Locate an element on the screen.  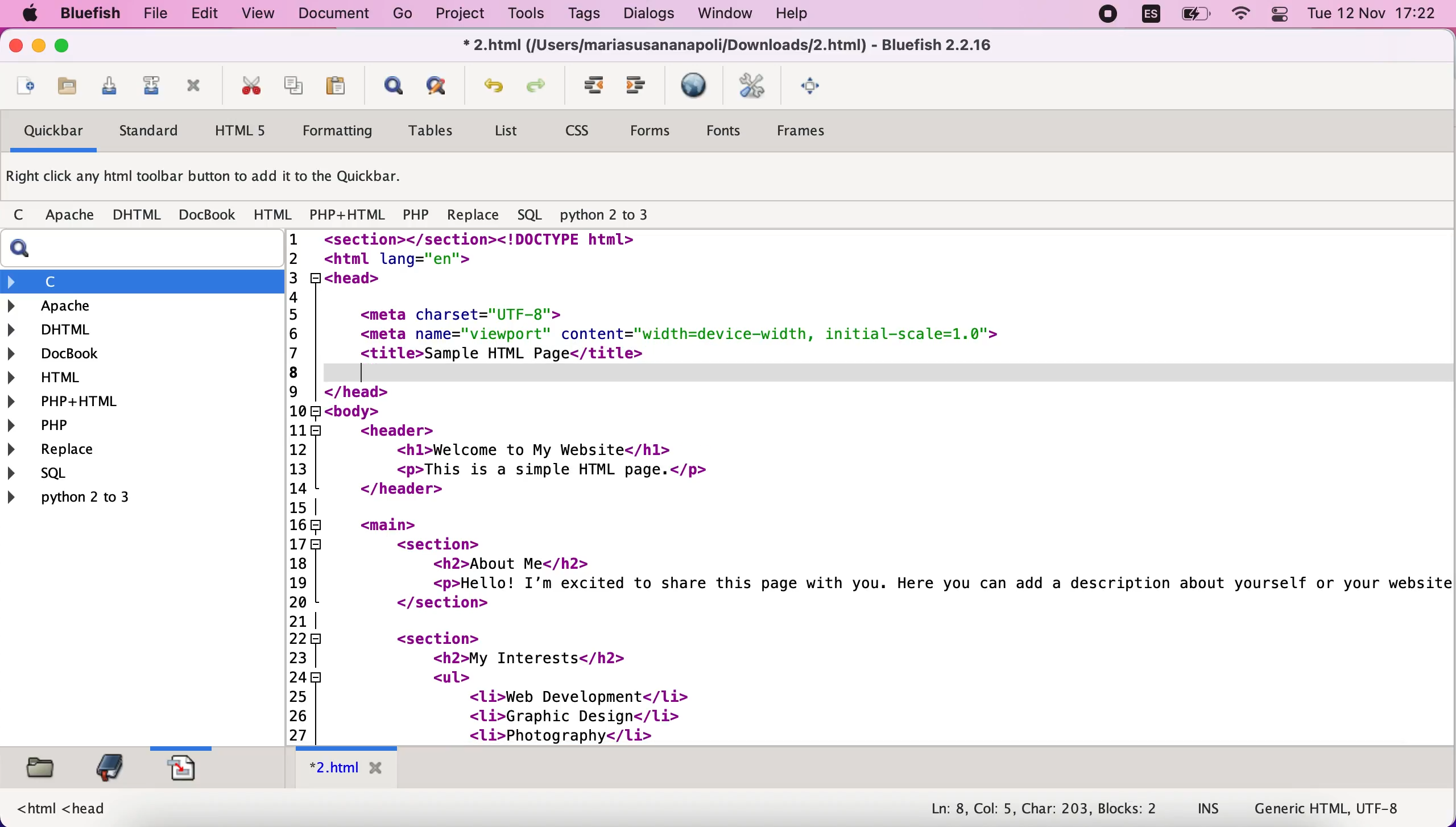
ins is located at coordinates (1209, 811).